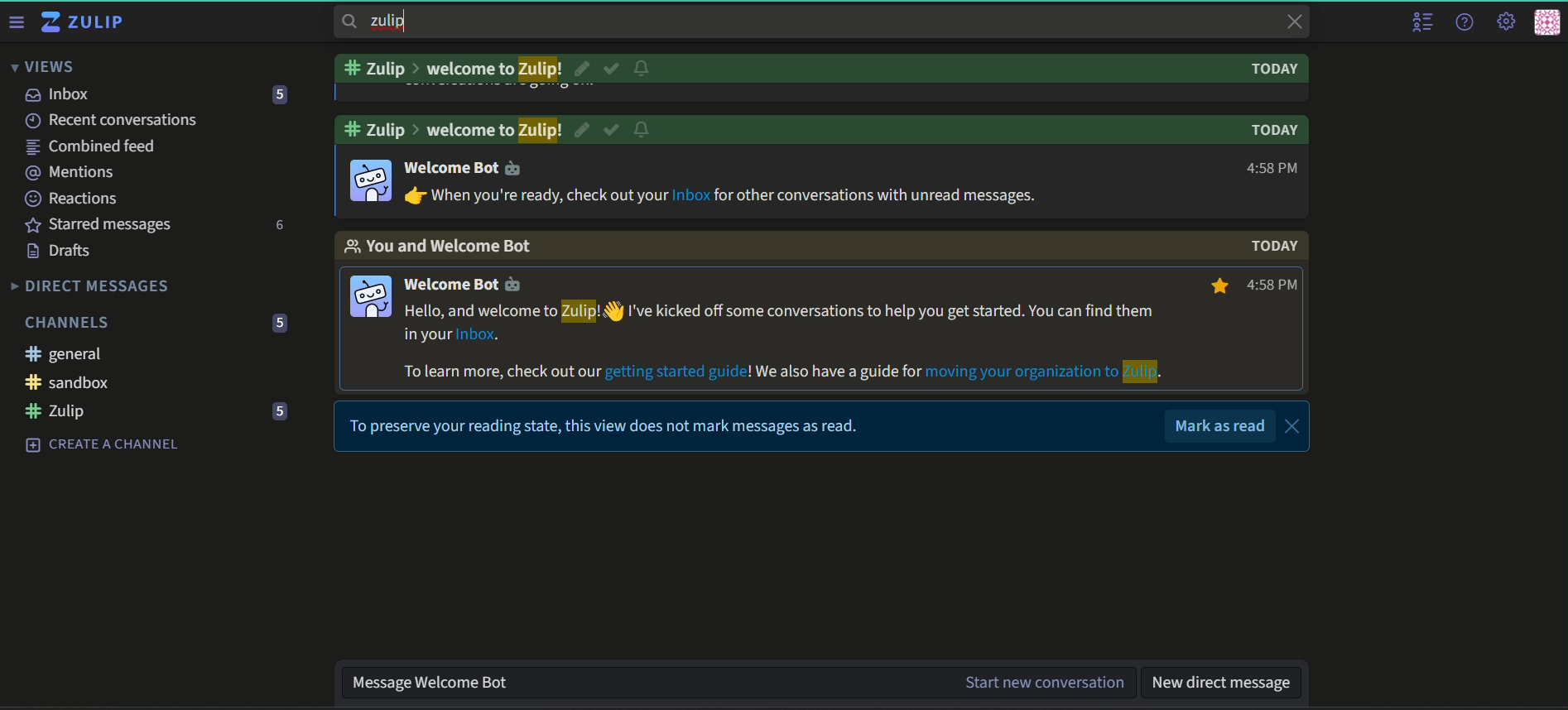  I want to click on edit, so click(582, 68).